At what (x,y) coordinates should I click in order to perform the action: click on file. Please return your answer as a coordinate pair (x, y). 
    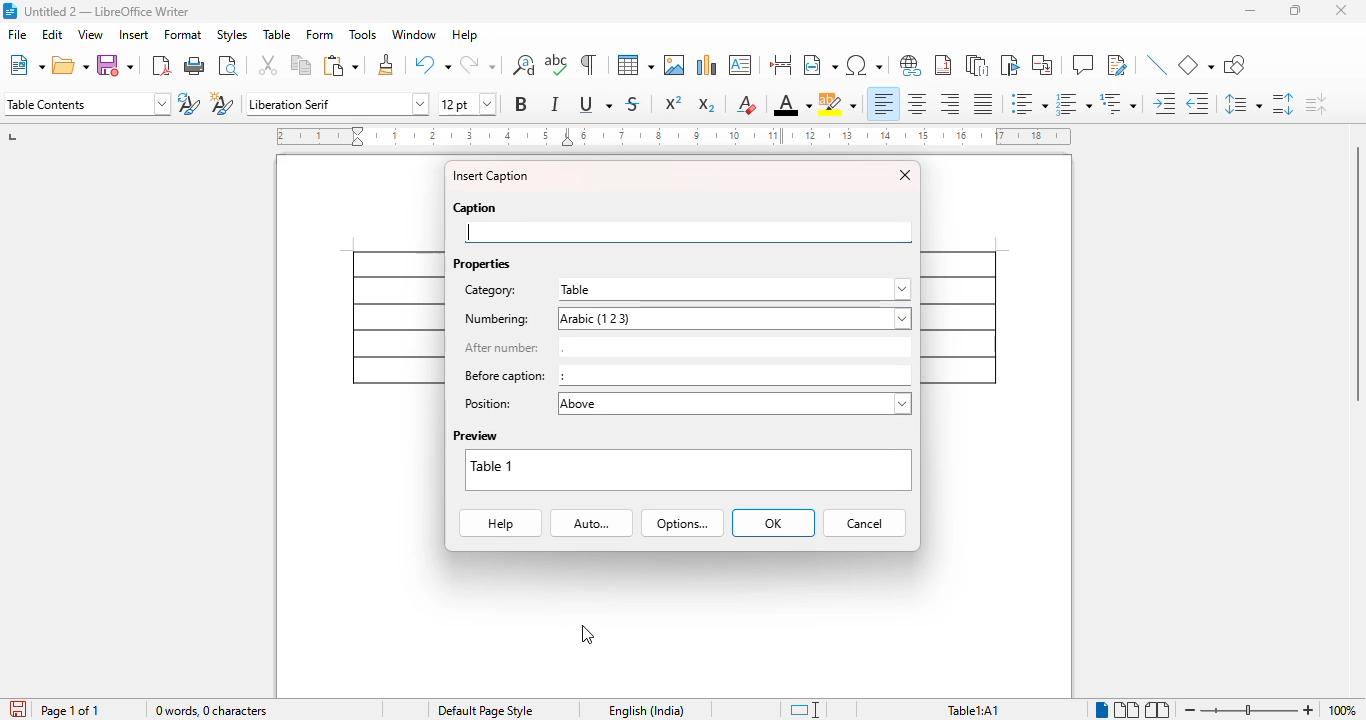
    Looking at the image, I should click on (17, 34).